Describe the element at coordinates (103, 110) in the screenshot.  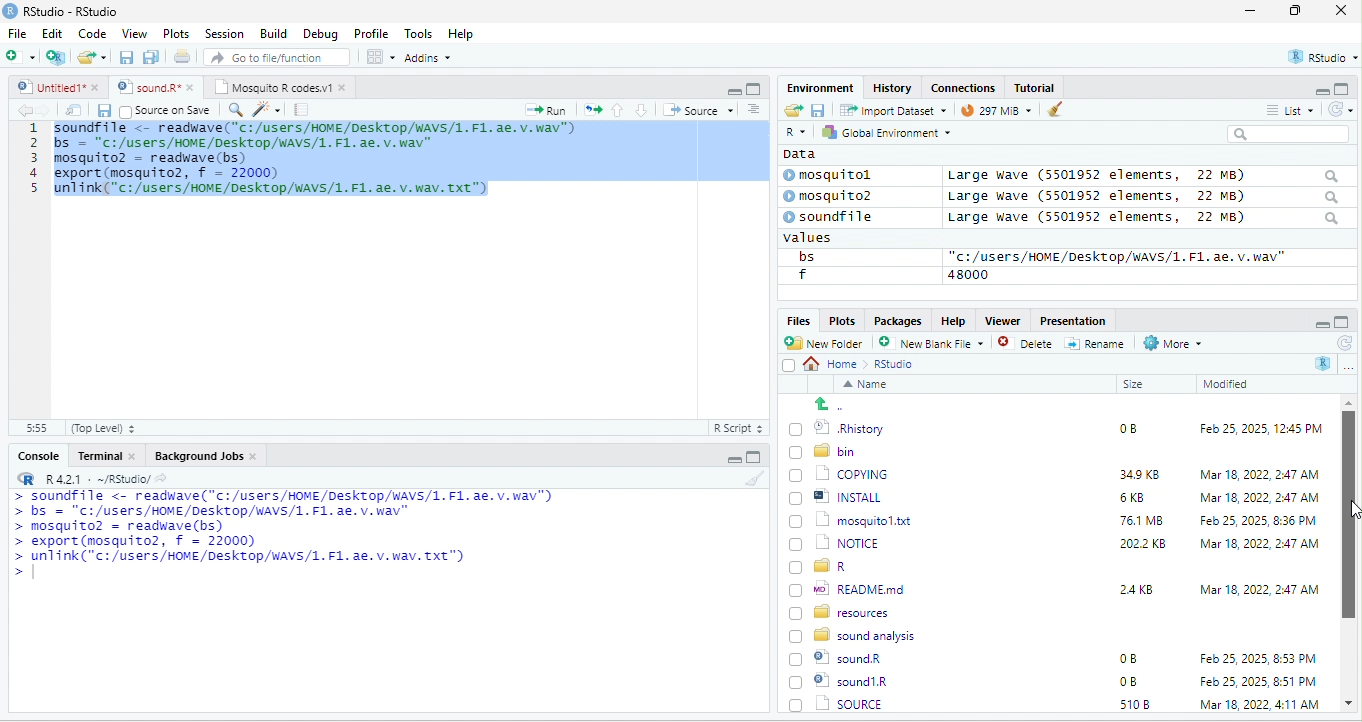
I see `save` at that location.